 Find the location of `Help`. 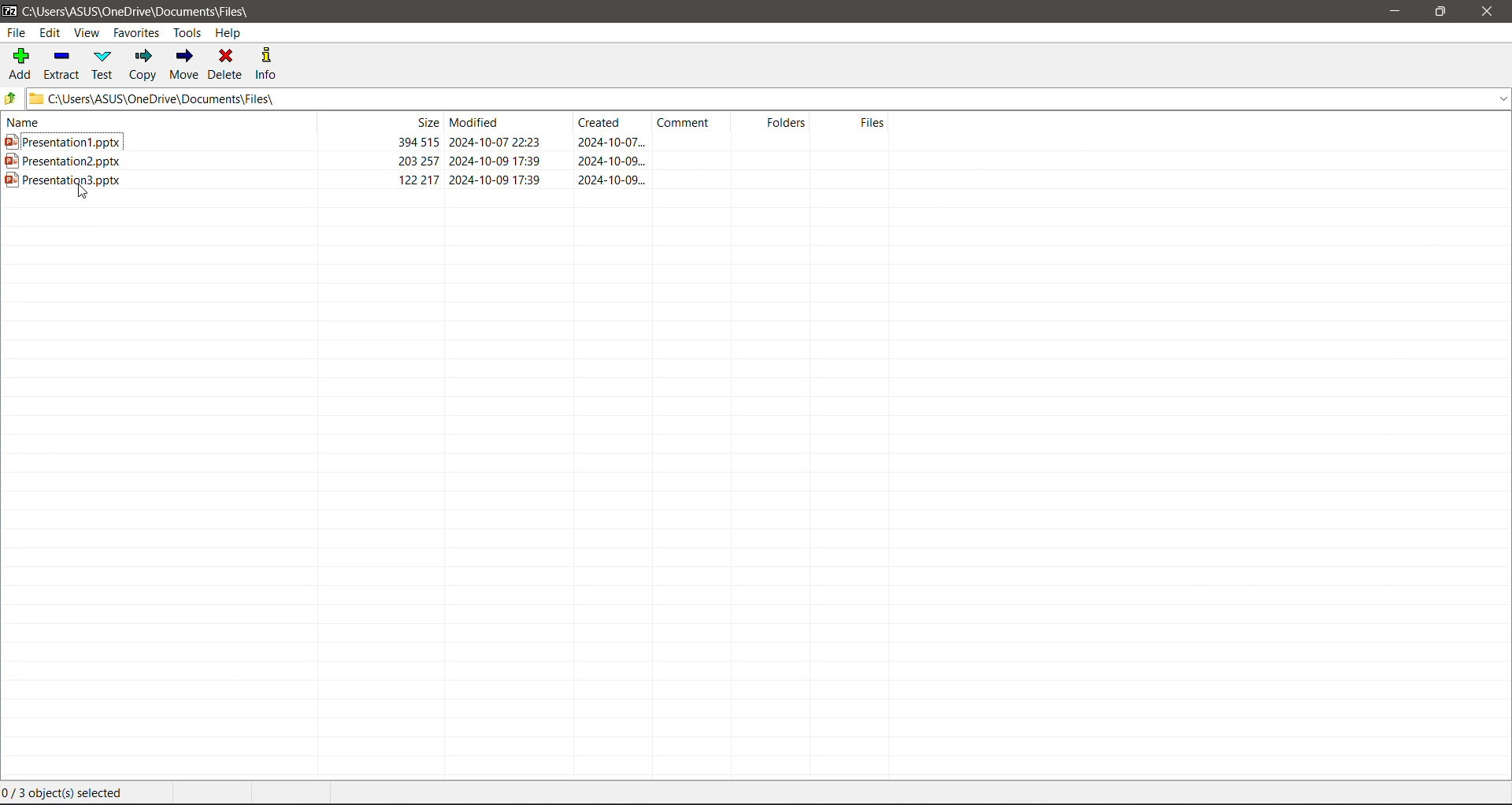

Help is located at coordinates (230, 34).